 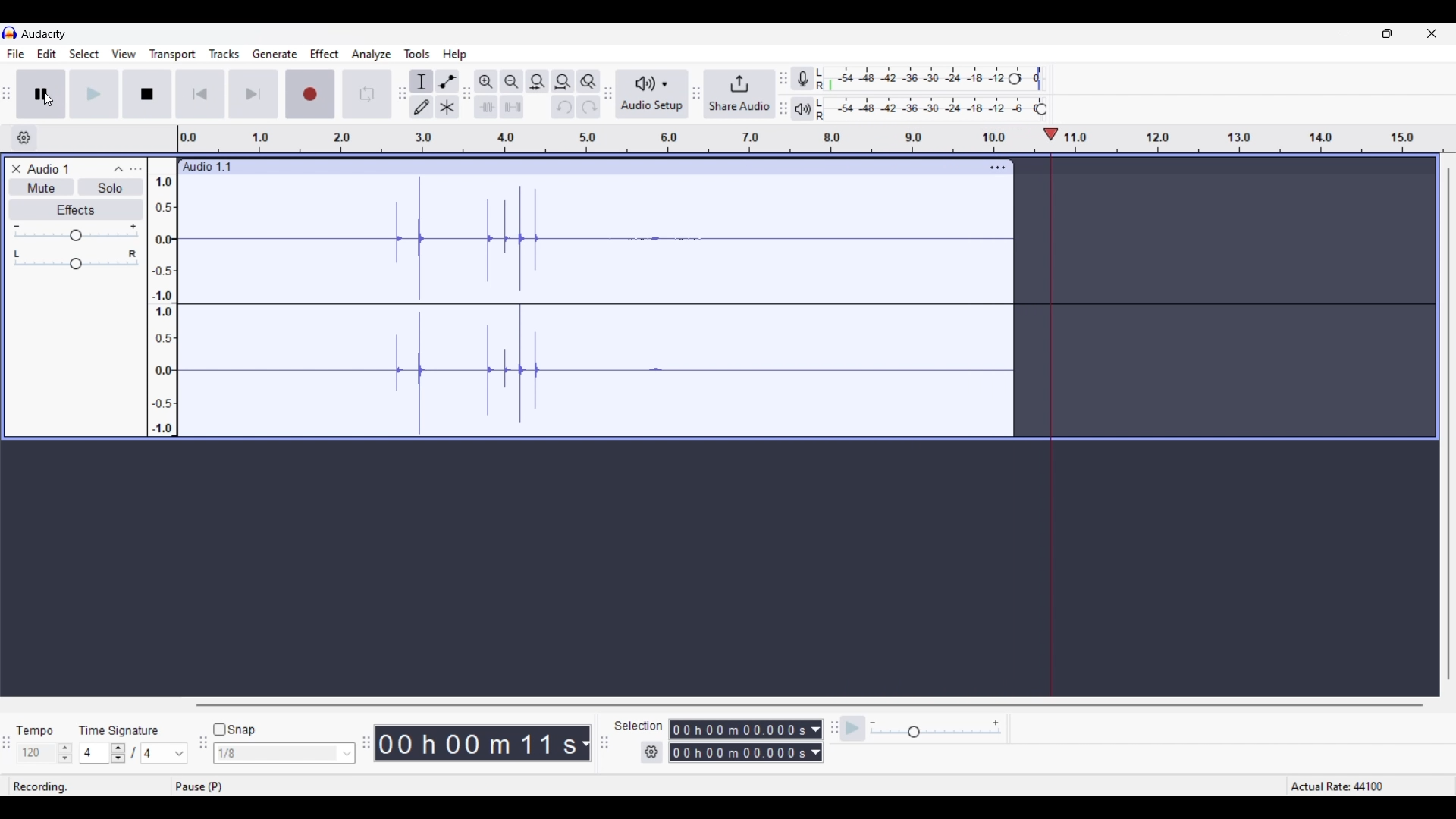 What do you see at coordinates (96, 753) in the screenshot?
I see `4` at bounding box center [96, 753].